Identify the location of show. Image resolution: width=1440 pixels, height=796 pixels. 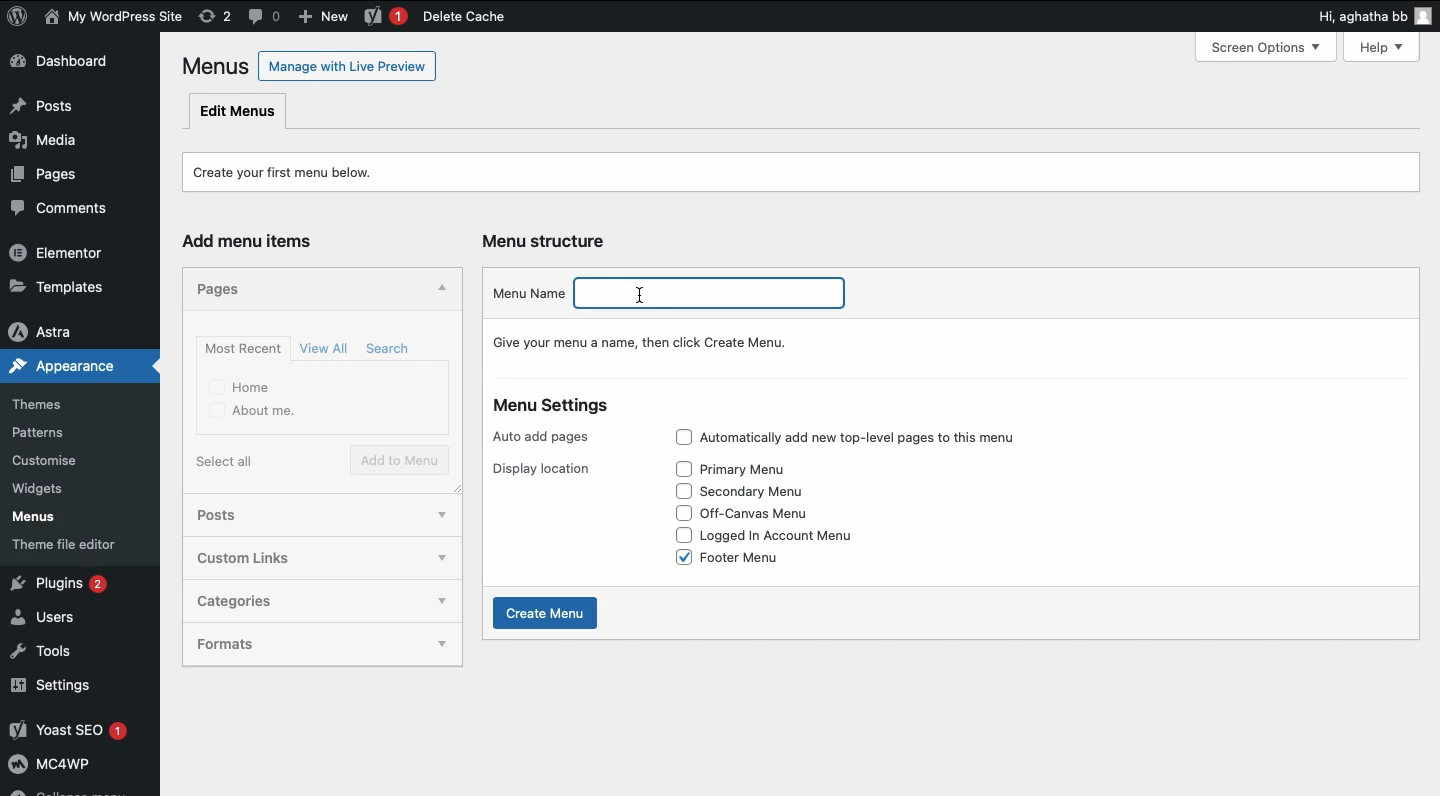
(443, 556).